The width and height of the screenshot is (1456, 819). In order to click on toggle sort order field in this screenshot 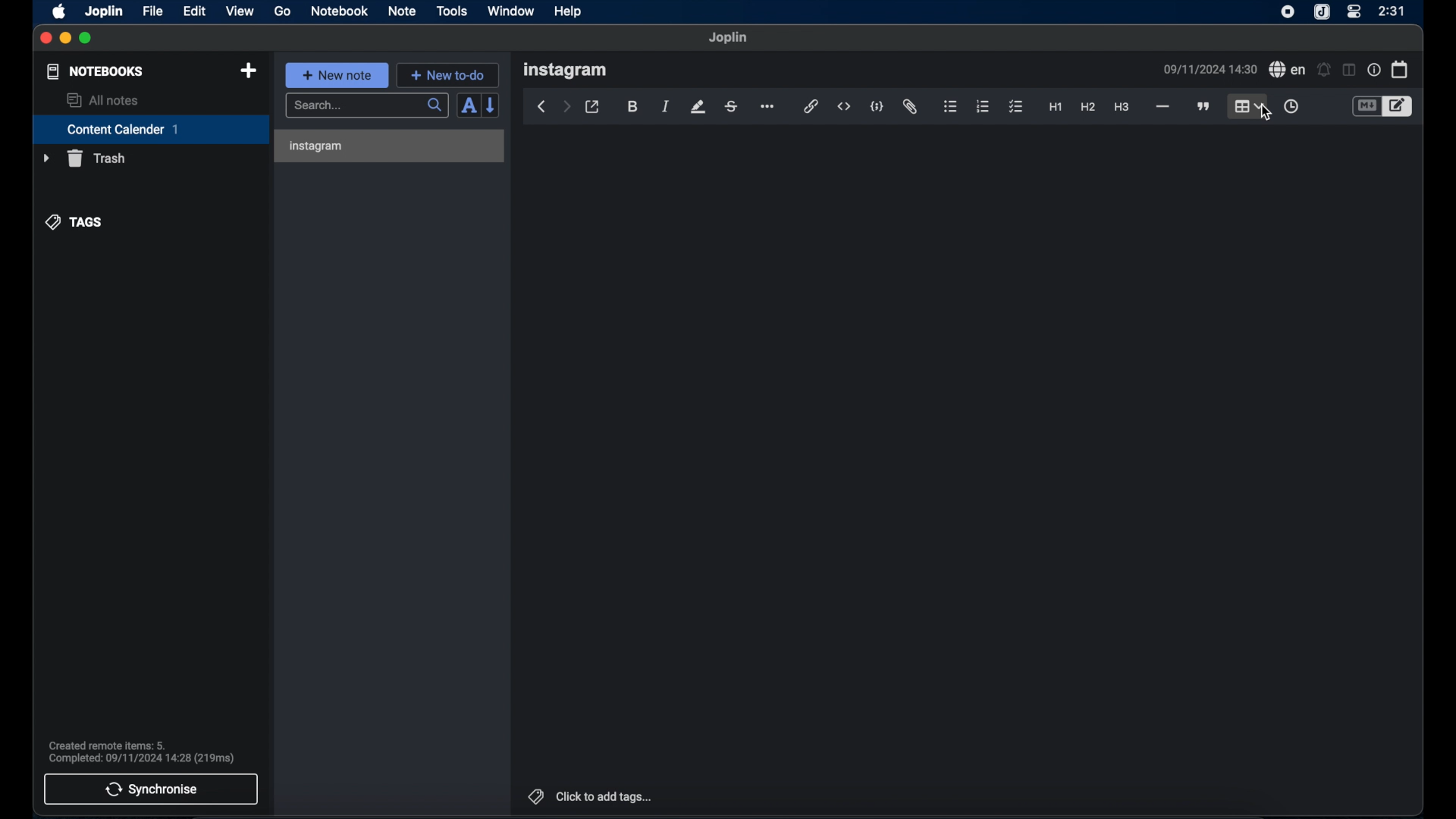, I will do `click(468, 106)`.